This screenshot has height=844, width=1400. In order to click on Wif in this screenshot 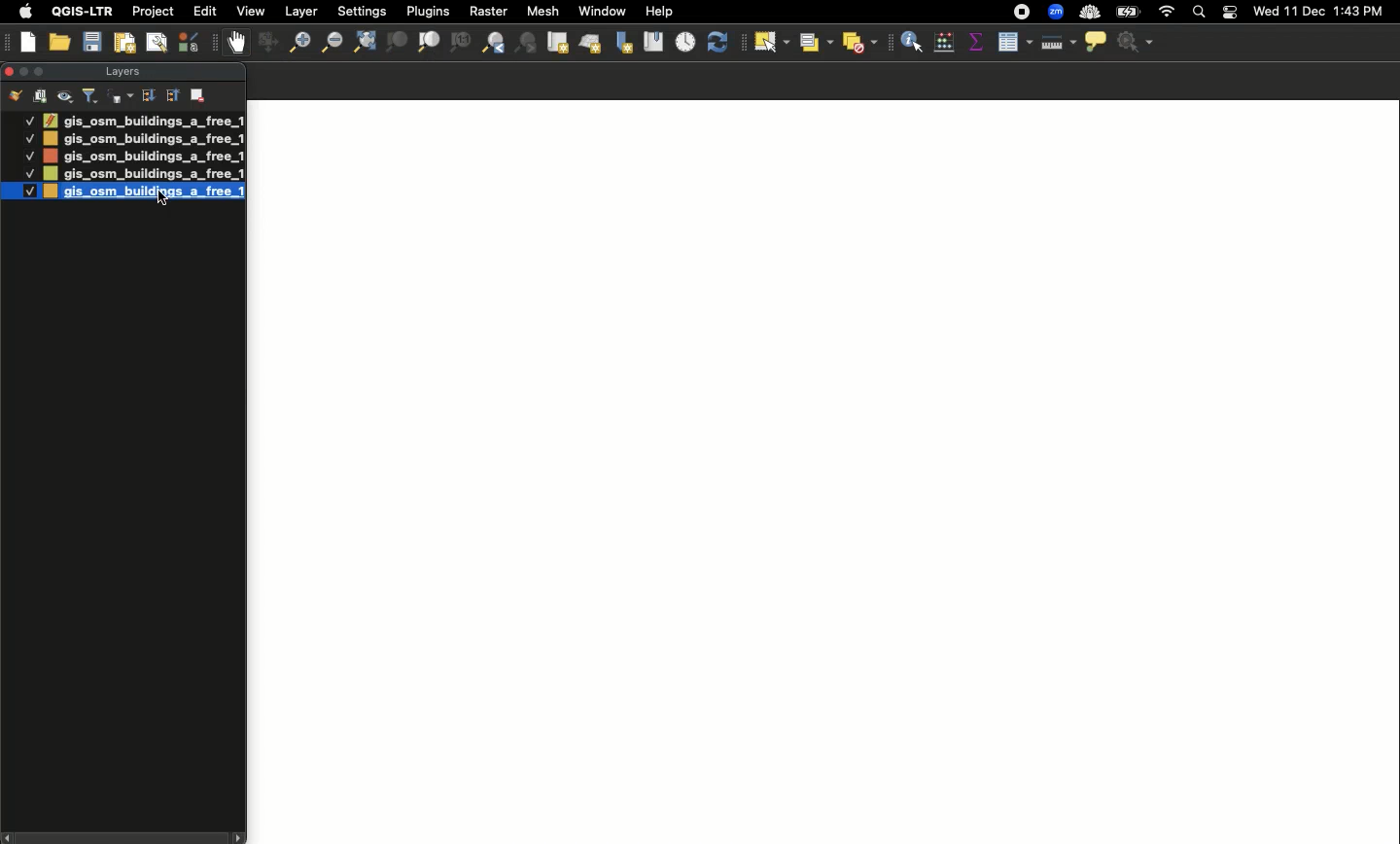, I will do `click(1167, 13)`.